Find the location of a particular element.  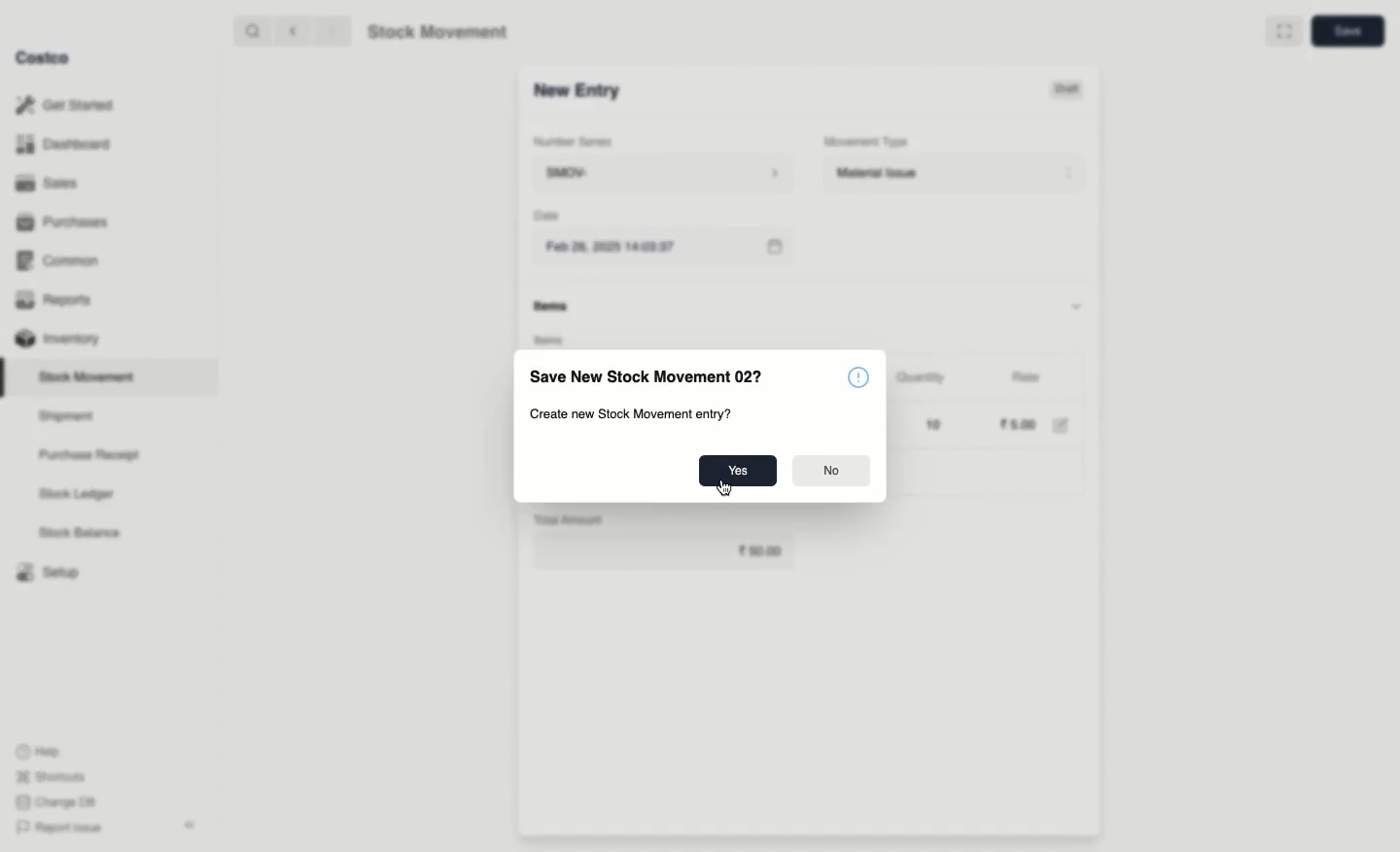

Stock Ledger is located at coordinates (77, 496).